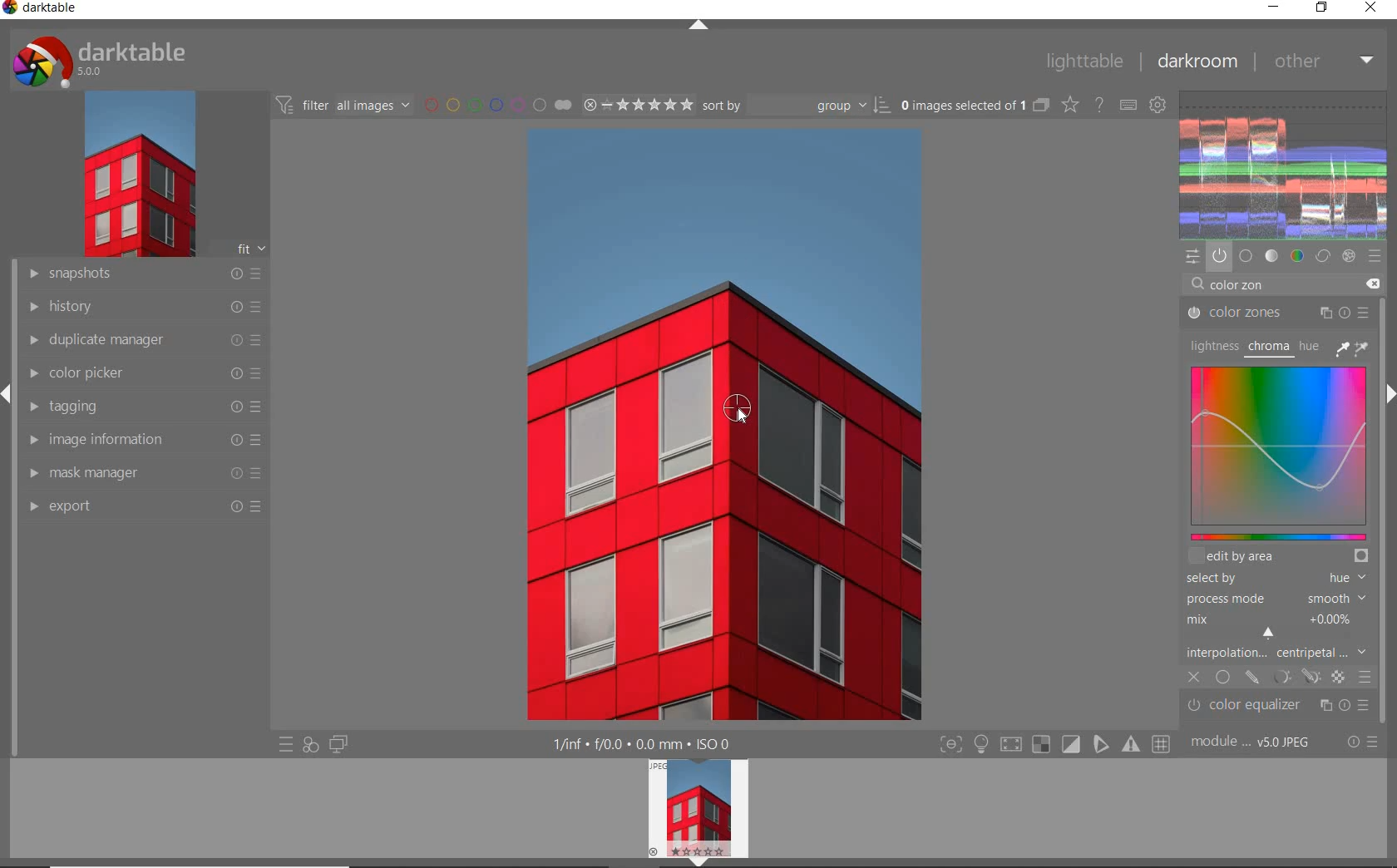  What do you see at coordinates (698, 862) in the screenshot?
I see `expand/collapse` at bounding box center [698, 862].